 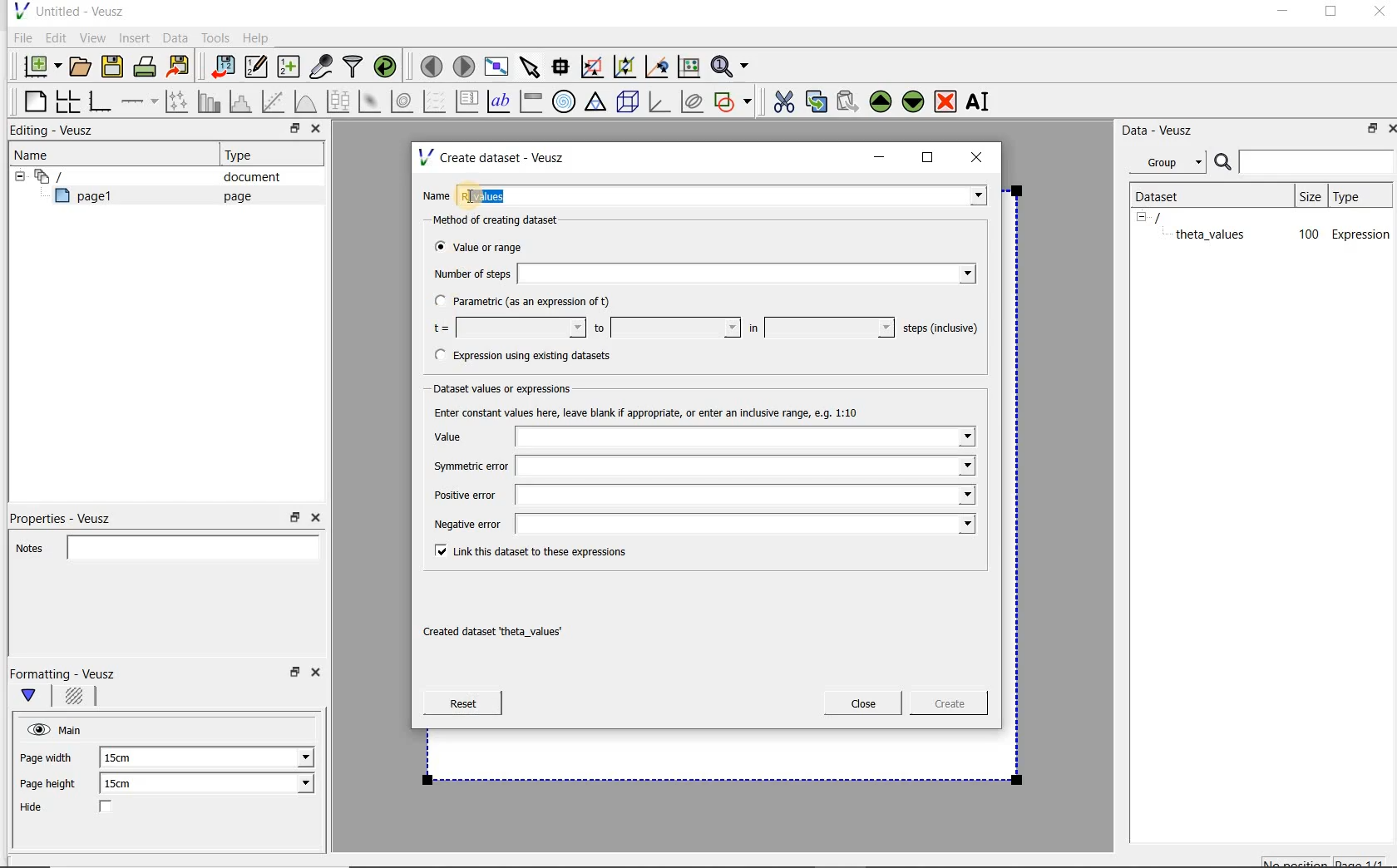 What do you see at coordinates (338, 102) in the screenshot?
I see `plot box plots` at bounding box center [338, 102].